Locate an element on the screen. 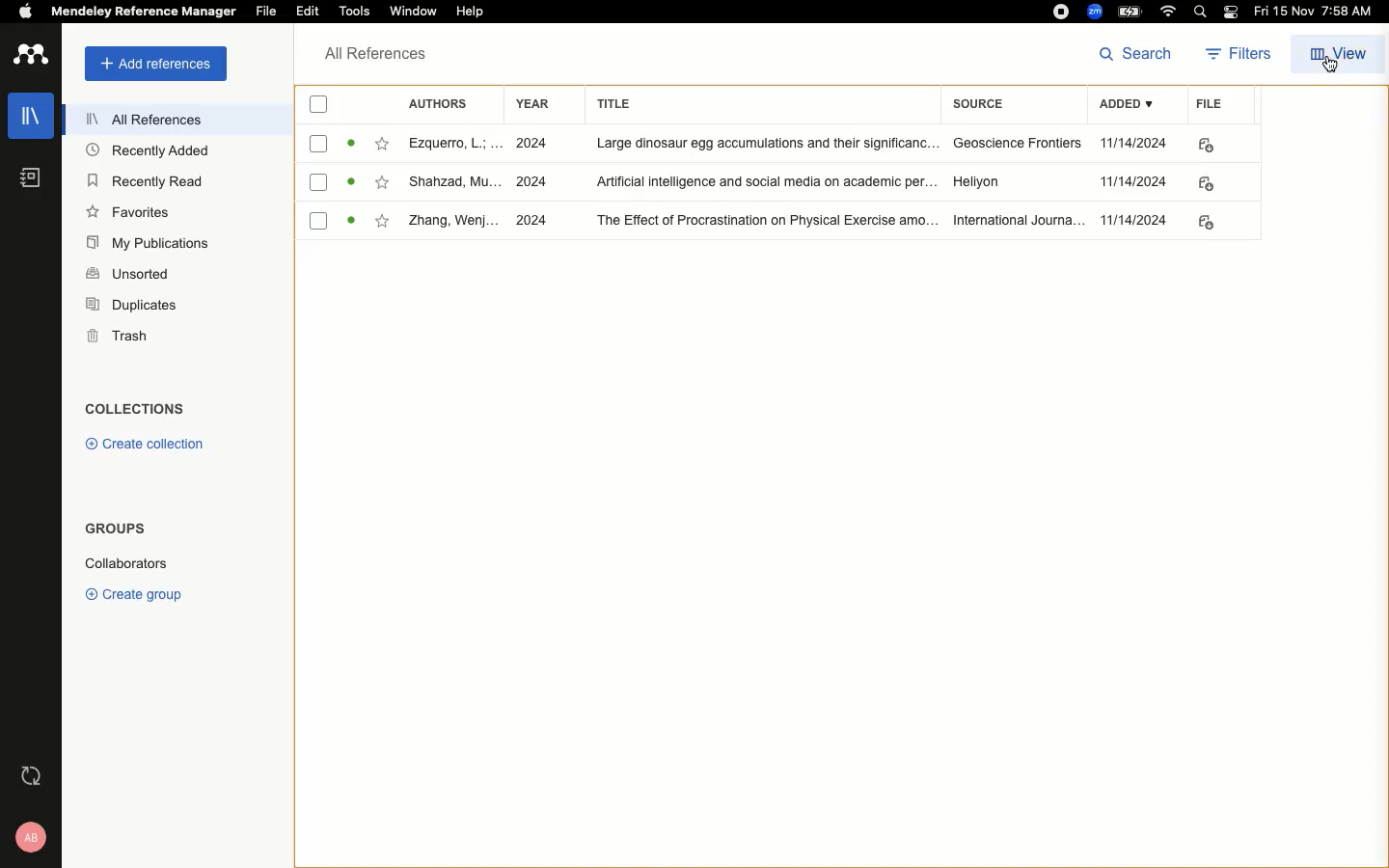 The image size is (1389, 868). Filters is located at coordinates (1233, 55).